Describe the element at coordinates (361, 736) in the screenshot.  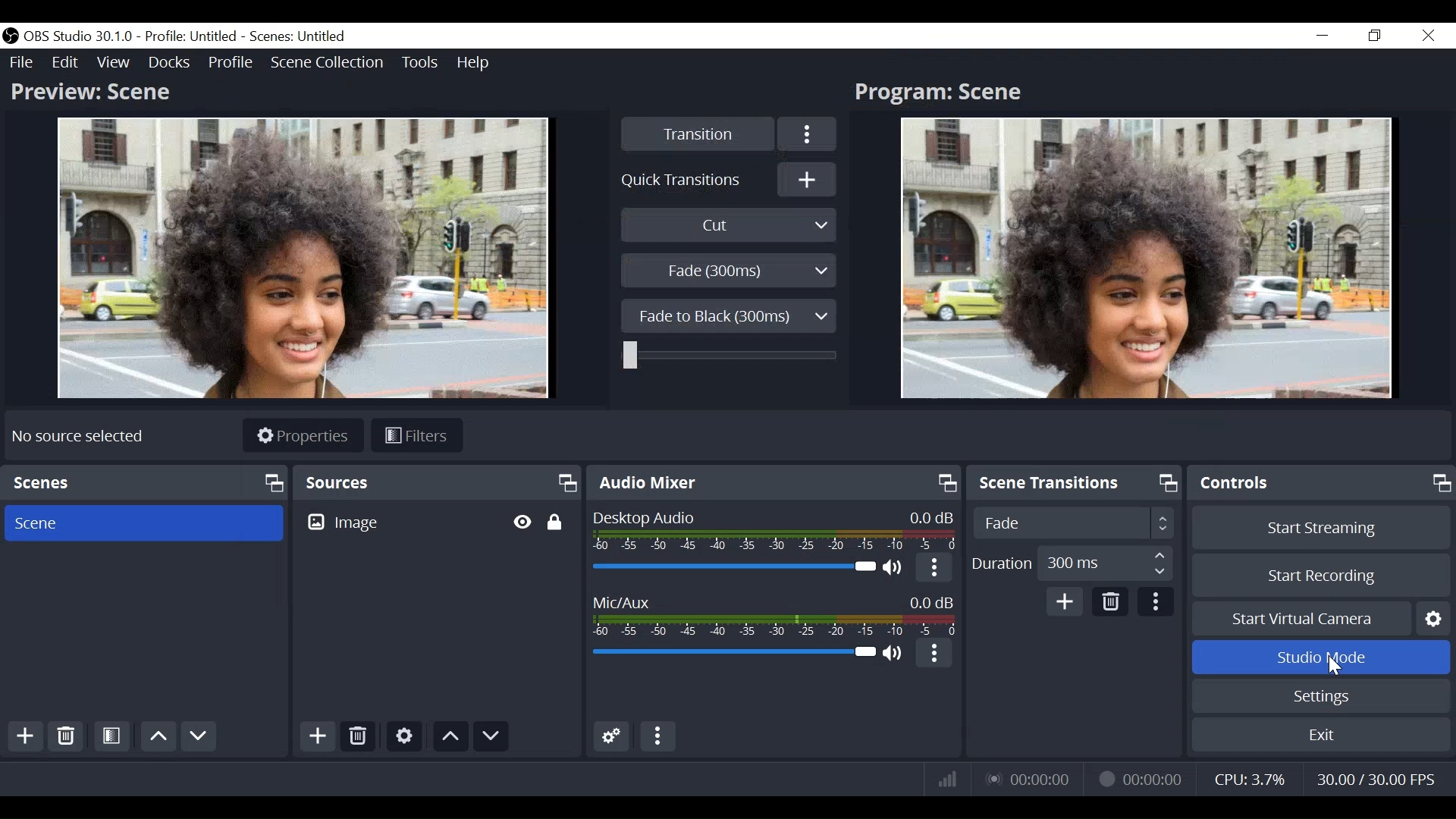
I see `Delete` at that location.